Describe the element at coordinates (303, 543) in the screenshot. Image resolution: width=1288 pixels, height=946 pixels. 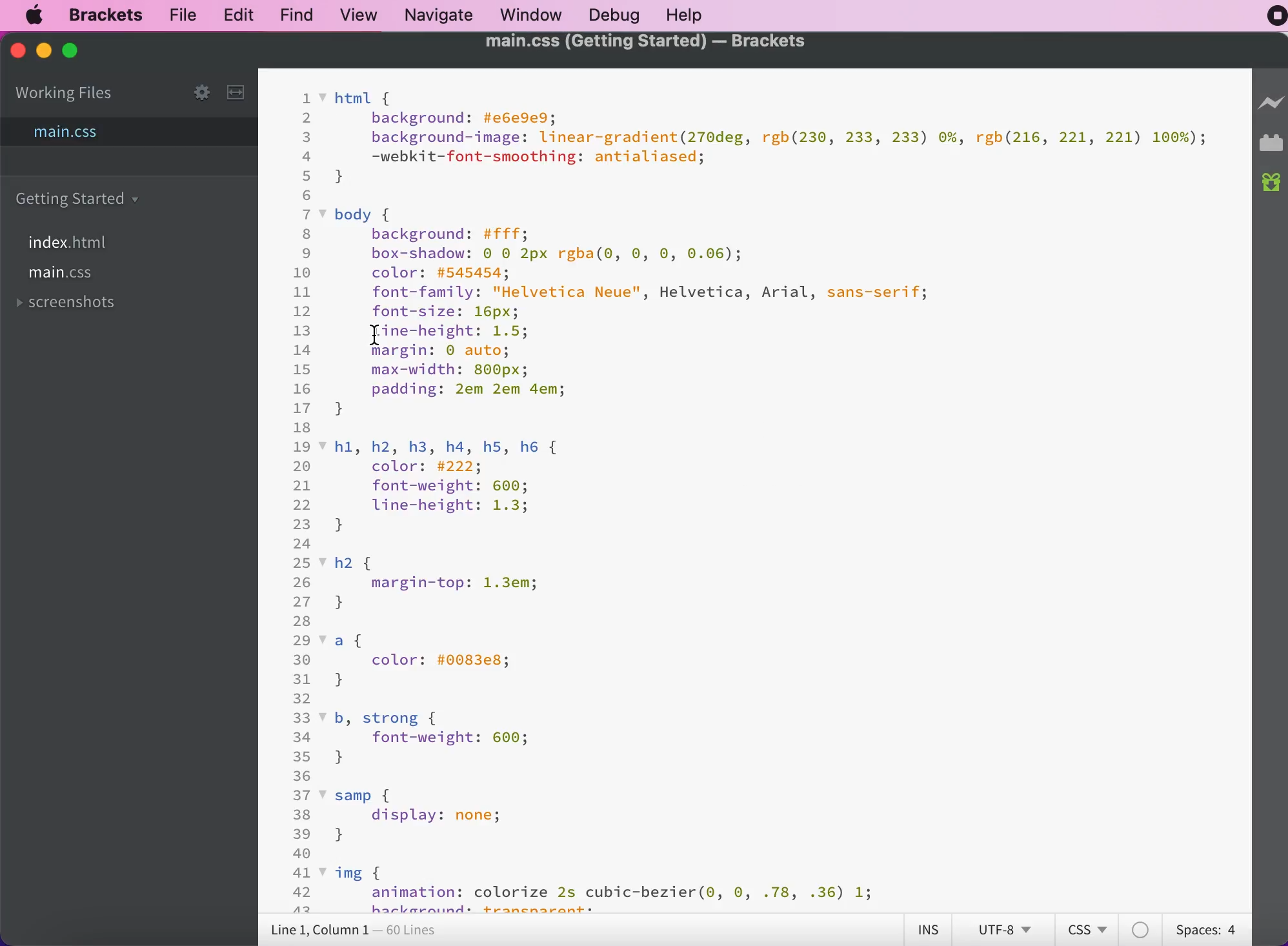
I see `24` at that location.